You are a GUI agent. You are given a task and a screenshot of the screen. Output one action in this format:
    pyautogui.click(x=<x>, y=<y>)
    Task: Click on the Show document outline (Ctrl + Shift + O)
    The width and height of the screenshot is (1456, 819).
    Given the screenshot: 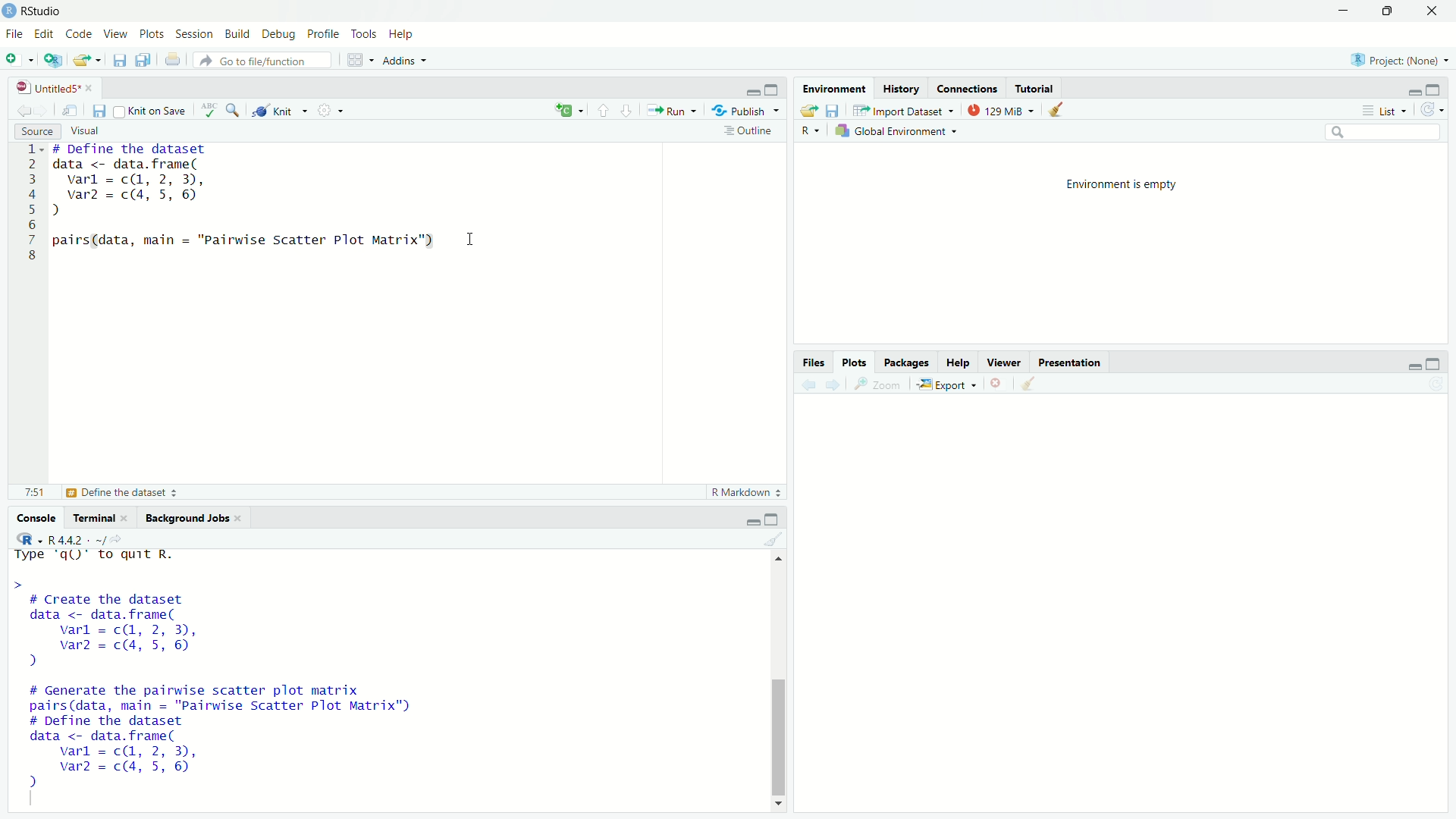 What is the action you would take?
    pyautogui.click(x=750, y=130)
    